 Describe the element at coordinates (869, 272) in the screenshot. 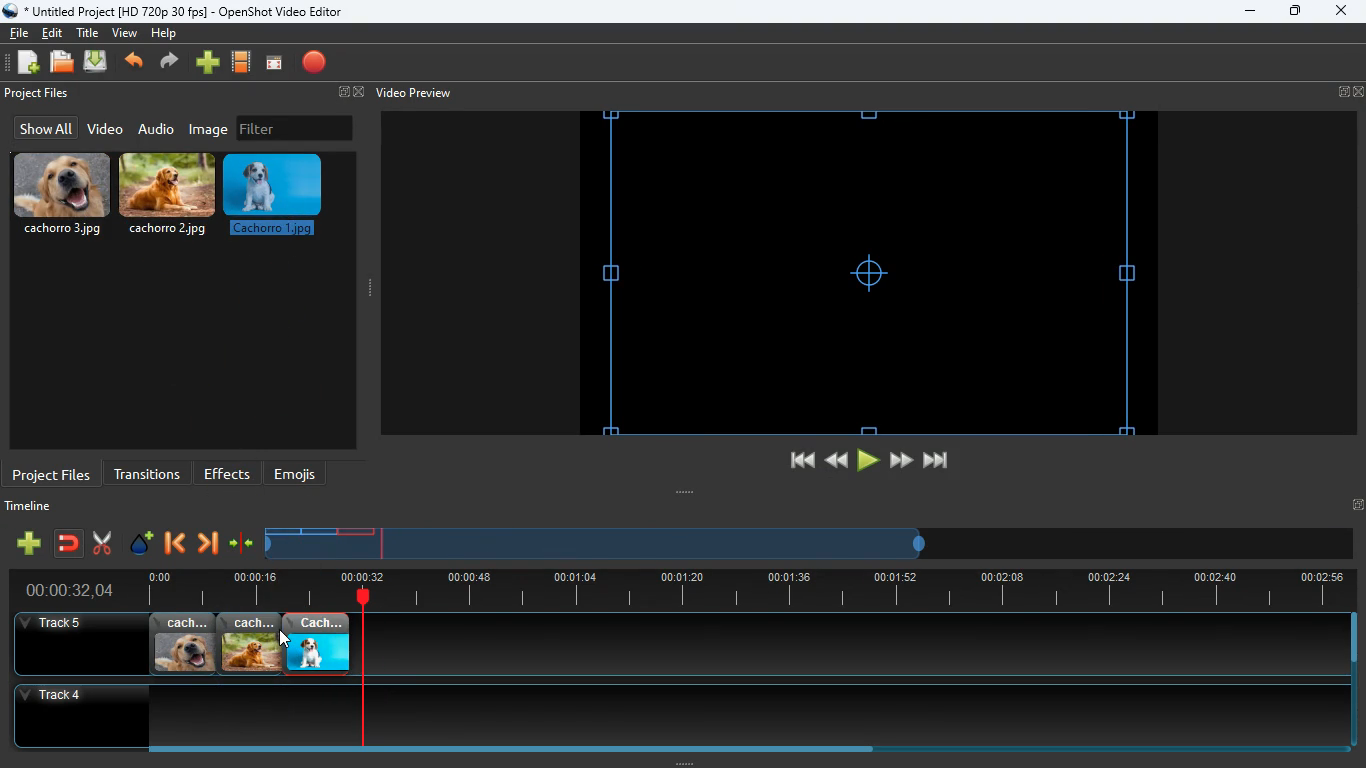

I see `screen` at that location.